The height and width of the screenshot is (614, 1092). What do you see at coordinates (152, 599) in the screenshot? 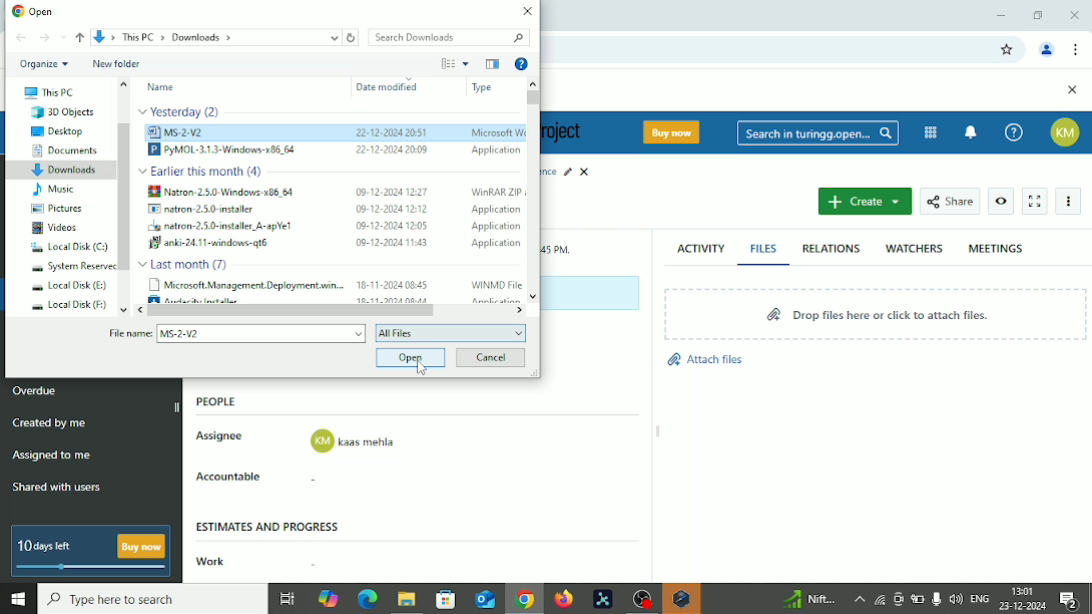
I see `Search` at bounding box center [152, 599].